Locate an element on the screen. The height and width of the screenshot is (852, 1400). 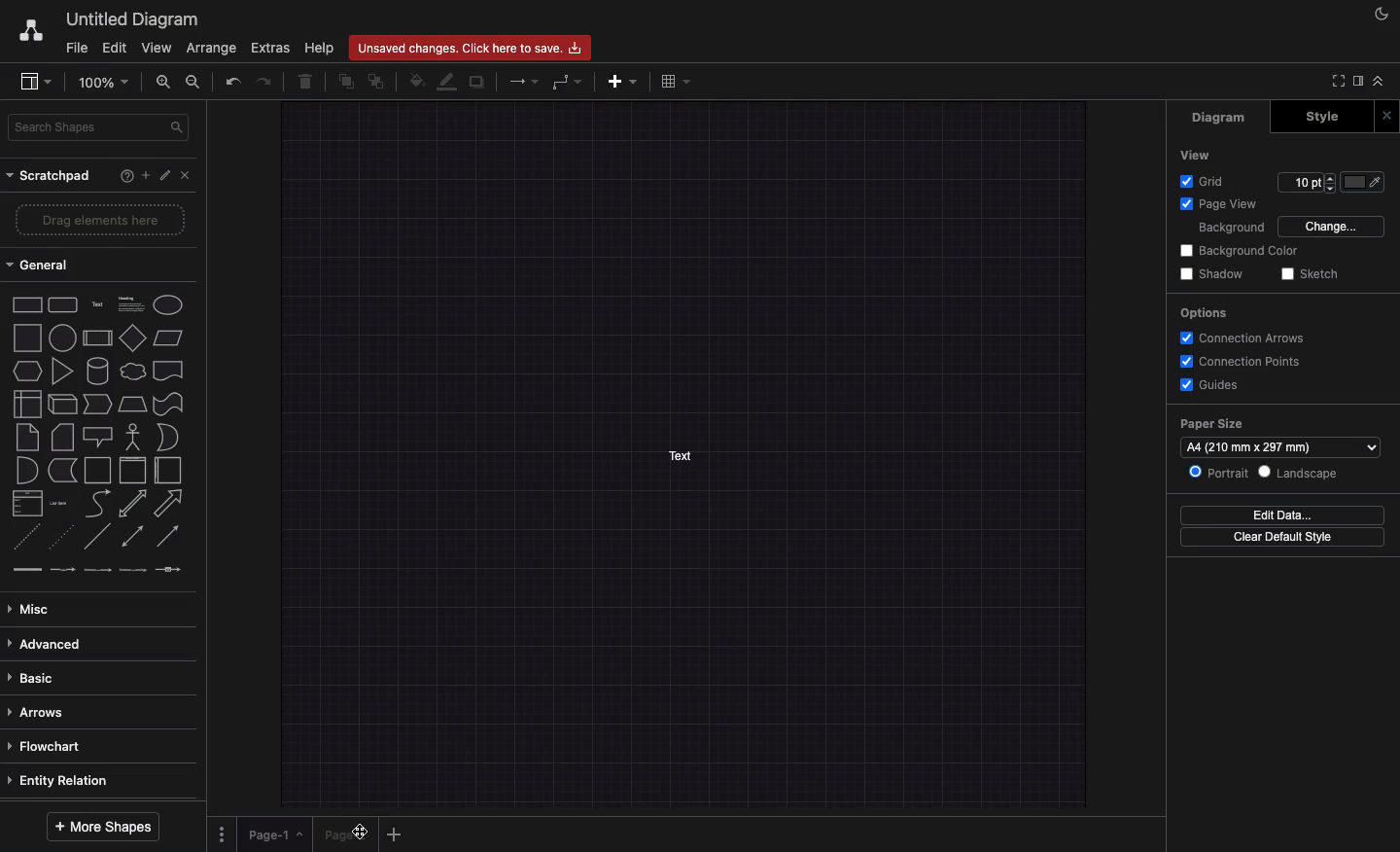
Unsaved changes. click here to save. is located at coordinates (470, 48).